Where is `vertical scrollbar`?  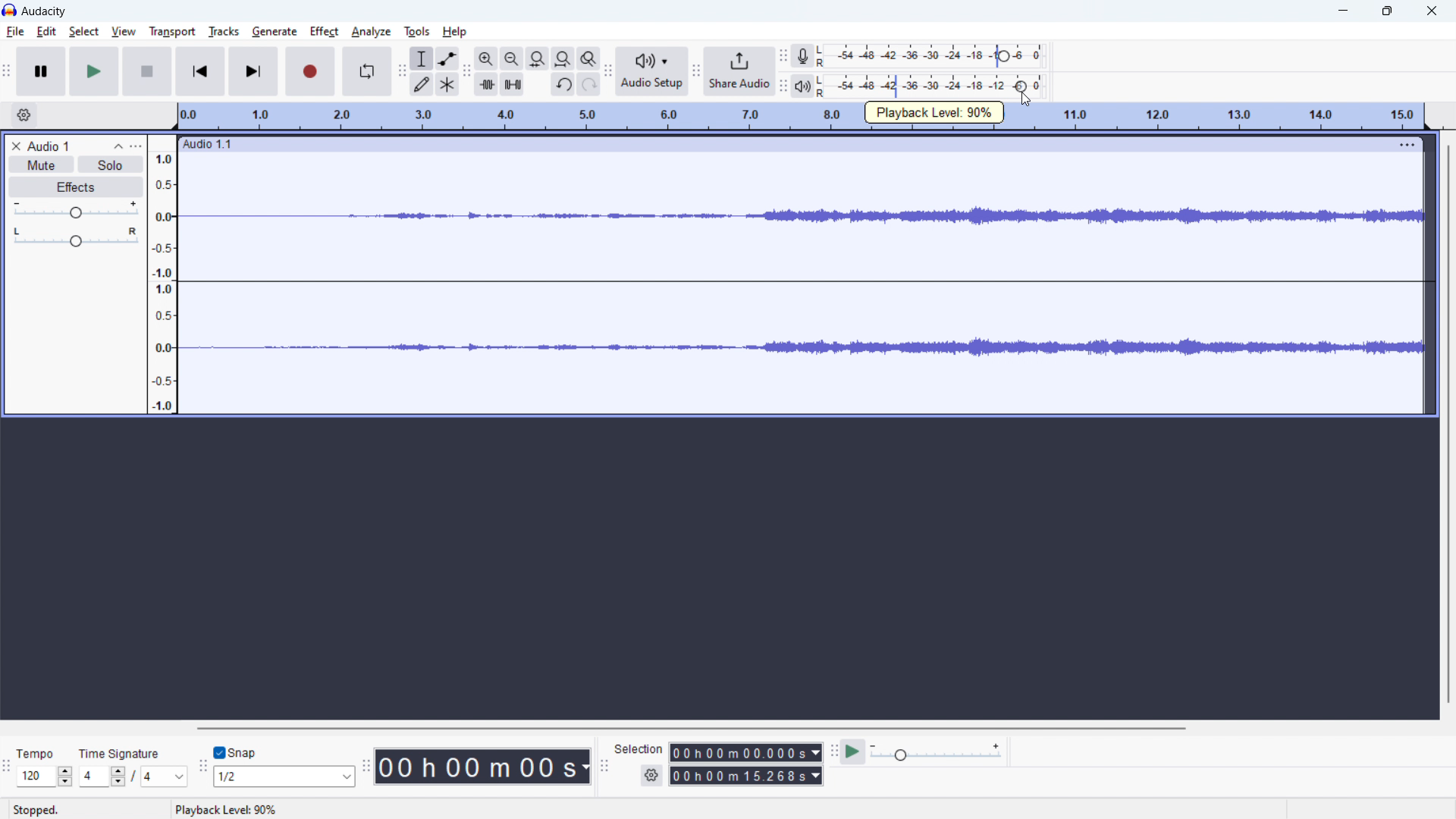
vertical scrollbar is located at coordinates (1447, 422).